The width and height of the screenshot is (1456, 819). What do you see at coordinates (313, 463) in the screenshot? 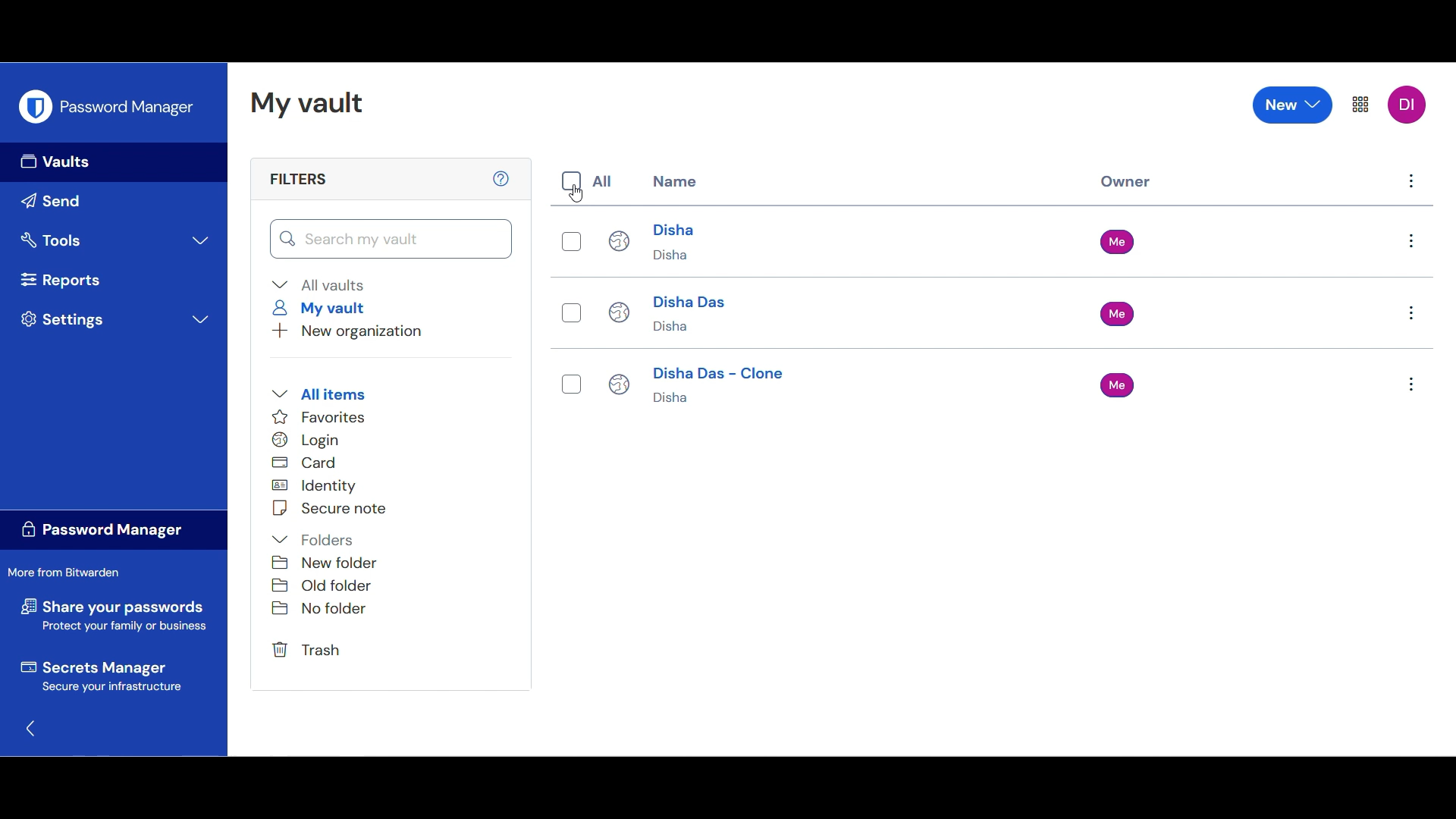
I see `Card` at bounding box center [313, 463].